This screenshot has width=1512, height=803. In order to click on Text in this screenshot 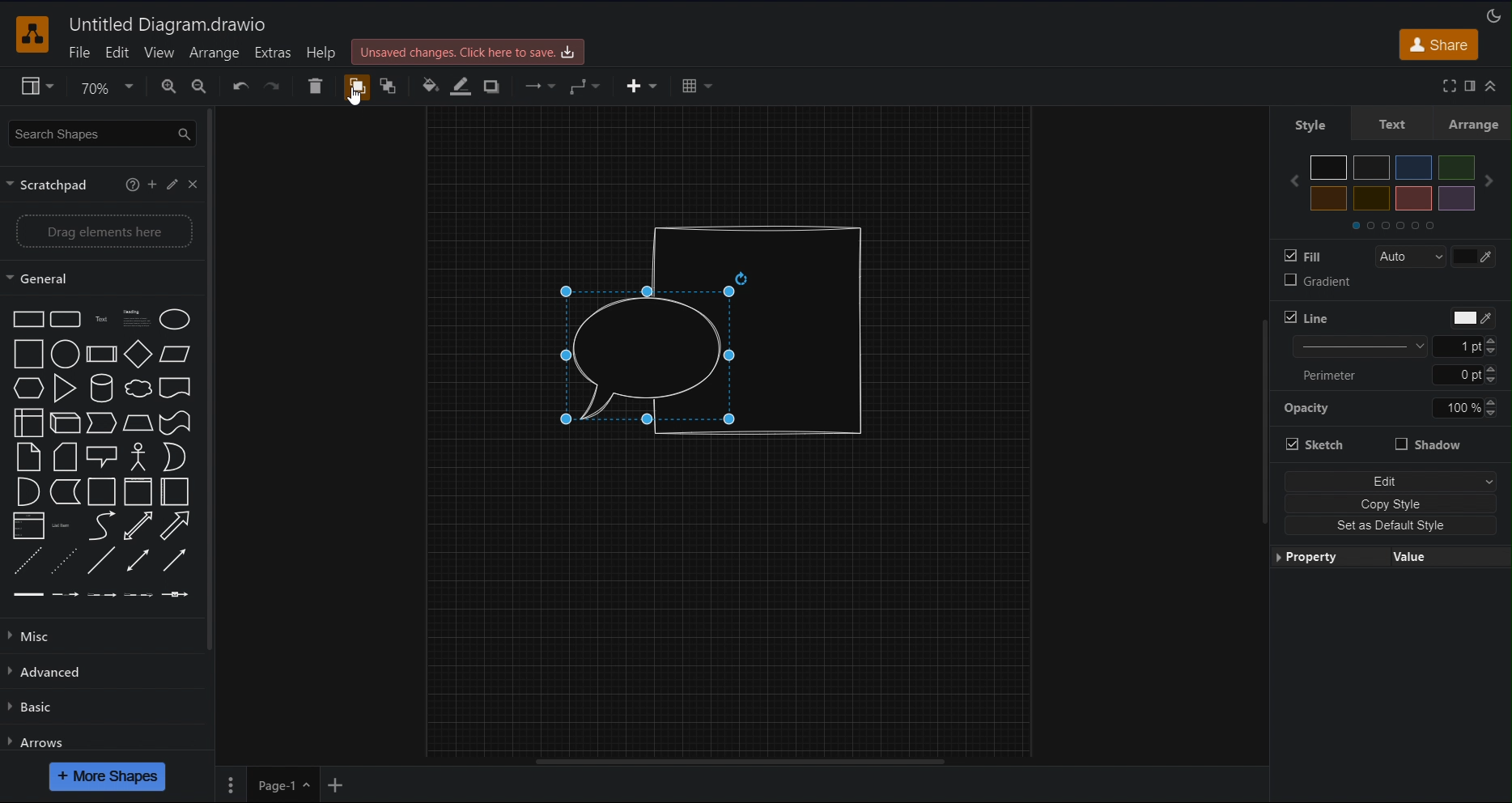, I will do `click(101, 320)`.